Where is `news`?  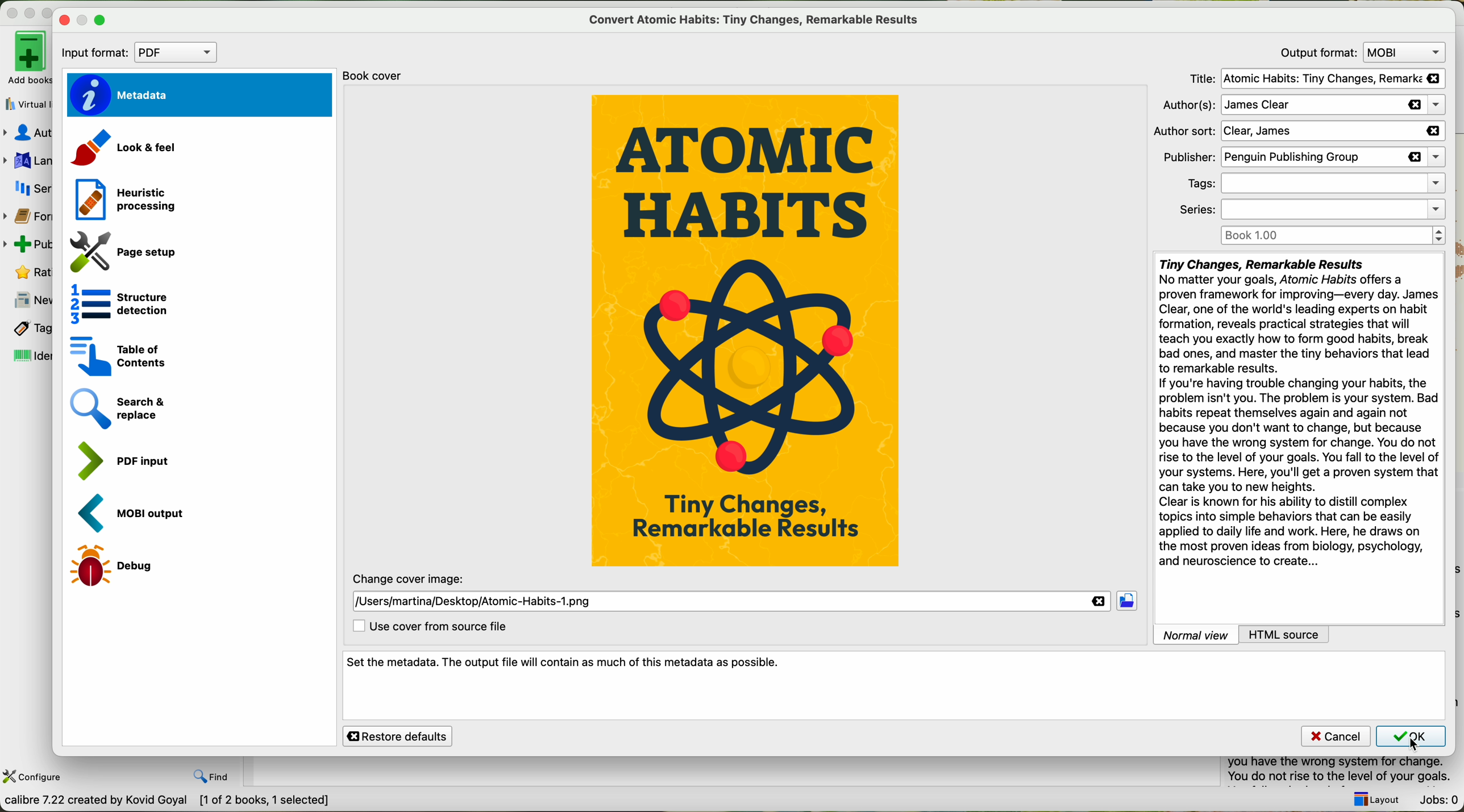
news is located at coordinates (27, 301).